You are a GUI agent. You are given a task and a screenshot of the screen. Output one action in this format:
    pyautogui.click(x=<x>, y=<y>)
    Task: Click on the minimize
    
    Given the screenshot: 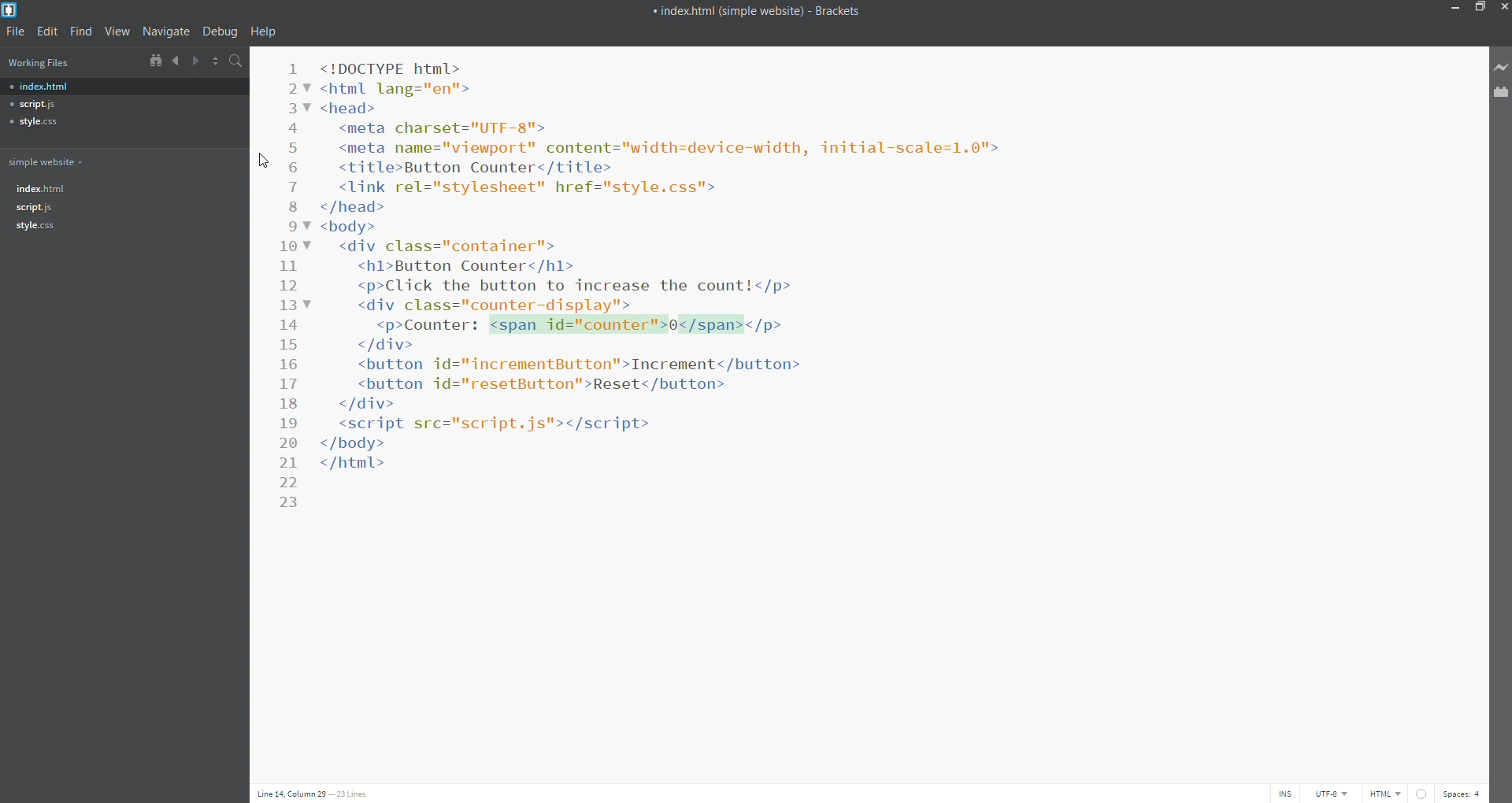 What is the action you would take?
    pyautogui.click(x=1449, y=9)
    